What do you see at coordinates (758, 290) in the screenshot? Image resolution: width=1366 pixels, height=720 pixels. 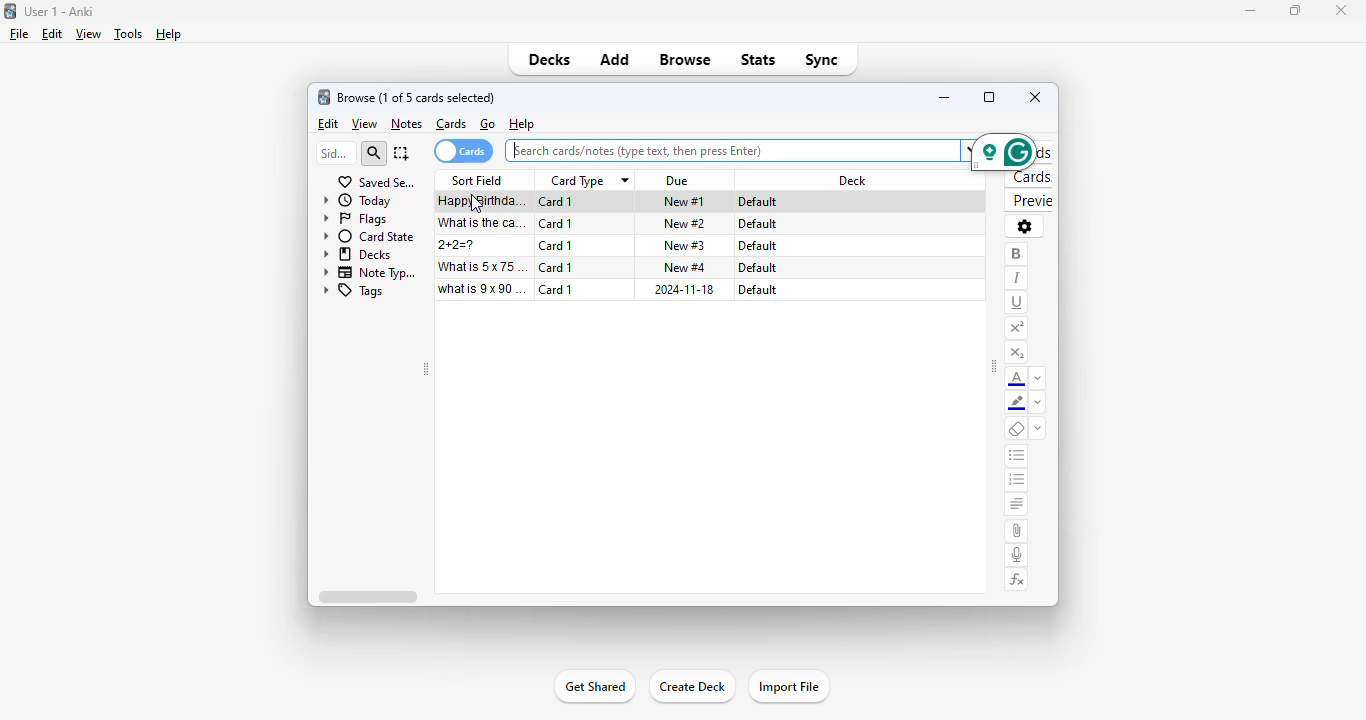 I see `default` at bounding box center [758, 290].